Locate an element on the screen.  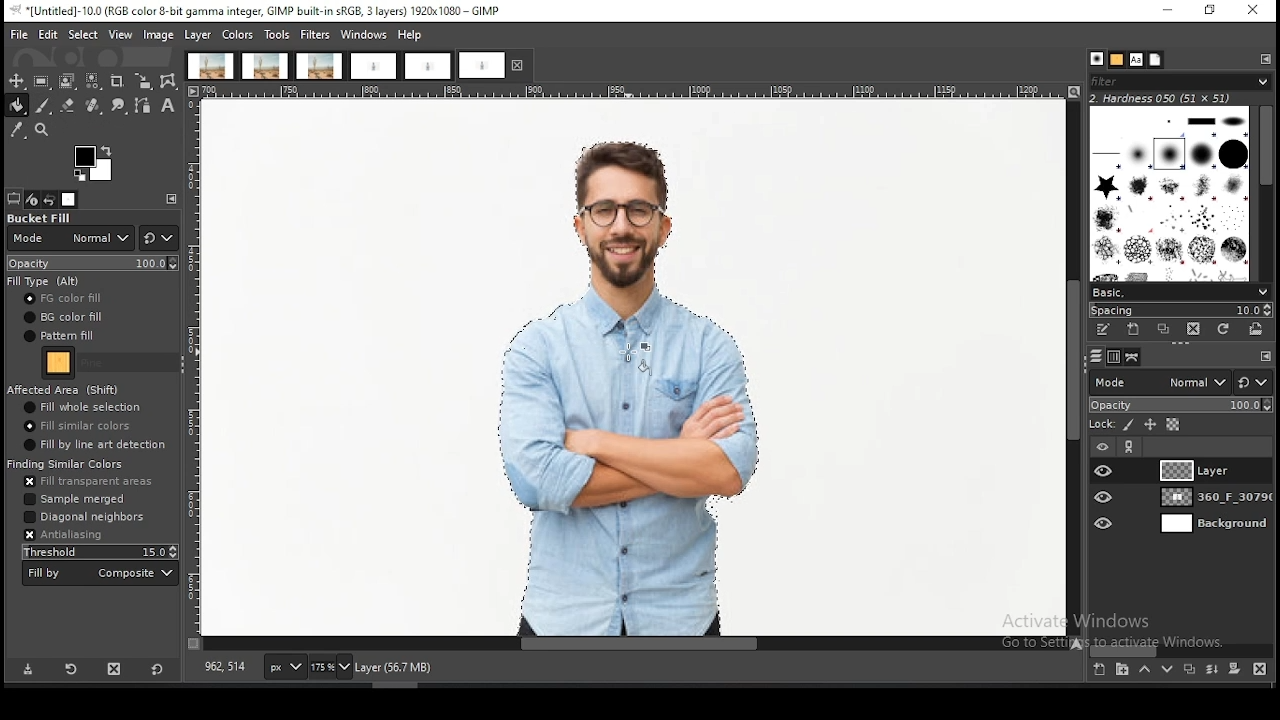
move tool is located at coordinates (16, 81).